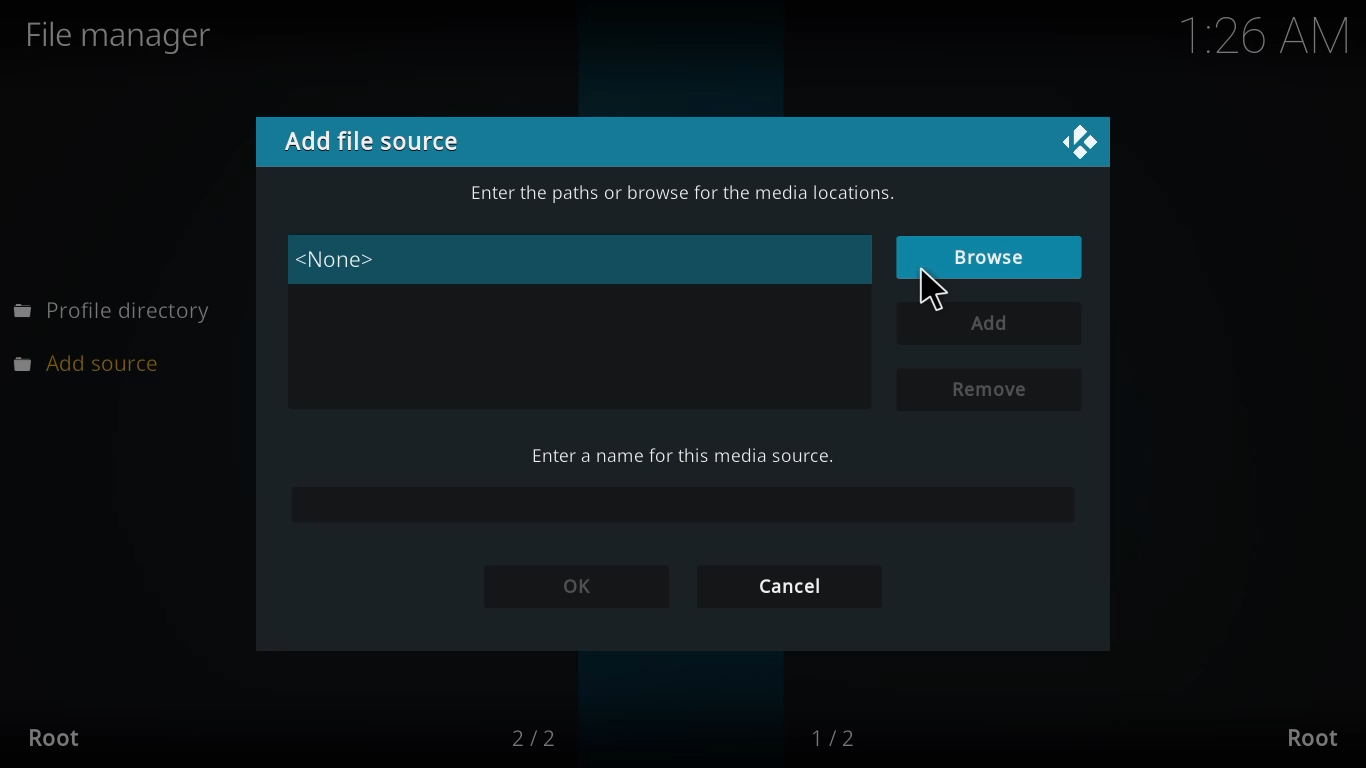  I want to click on remove, so click(988, 390).